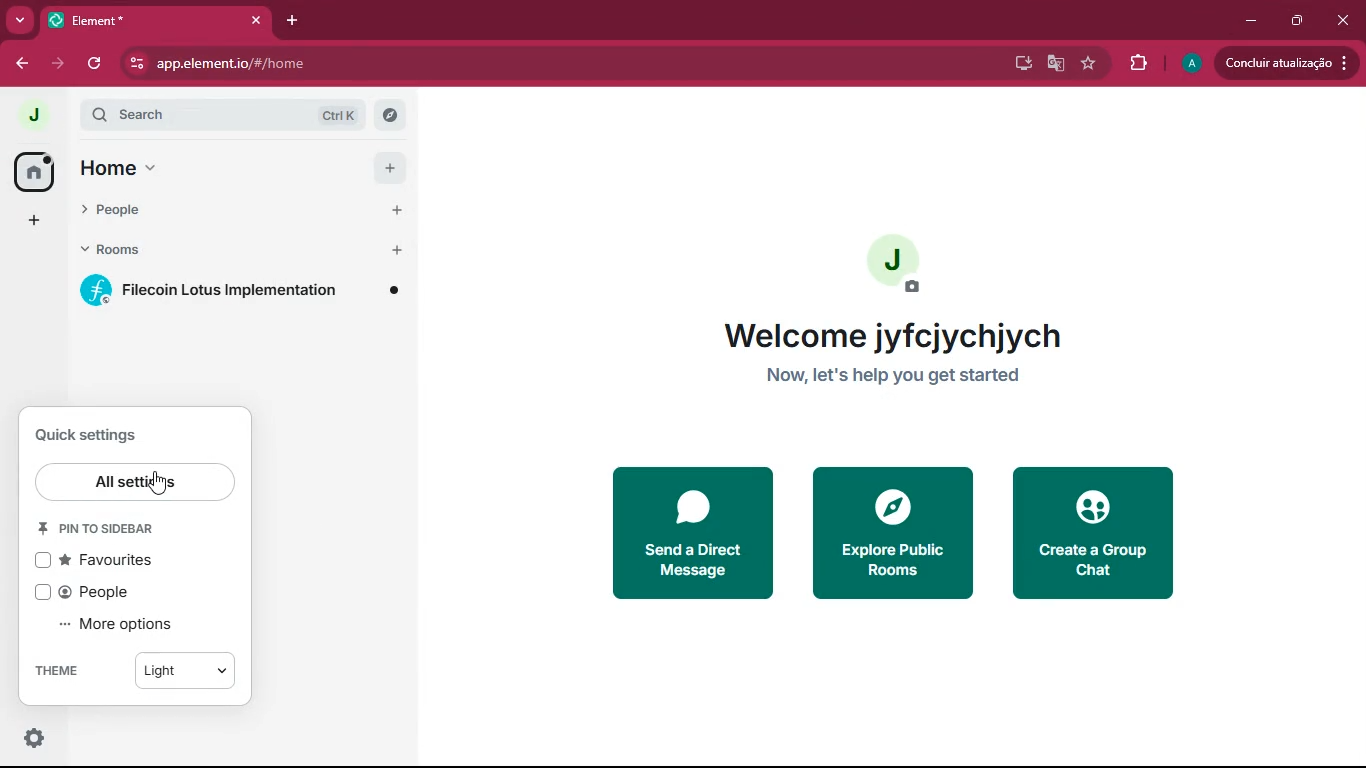 This screenshot has width=1366, height=768. What do you see at coordinates (203, 247) in the screenshot?
I see `rooms` at bounding box center [203, 247].